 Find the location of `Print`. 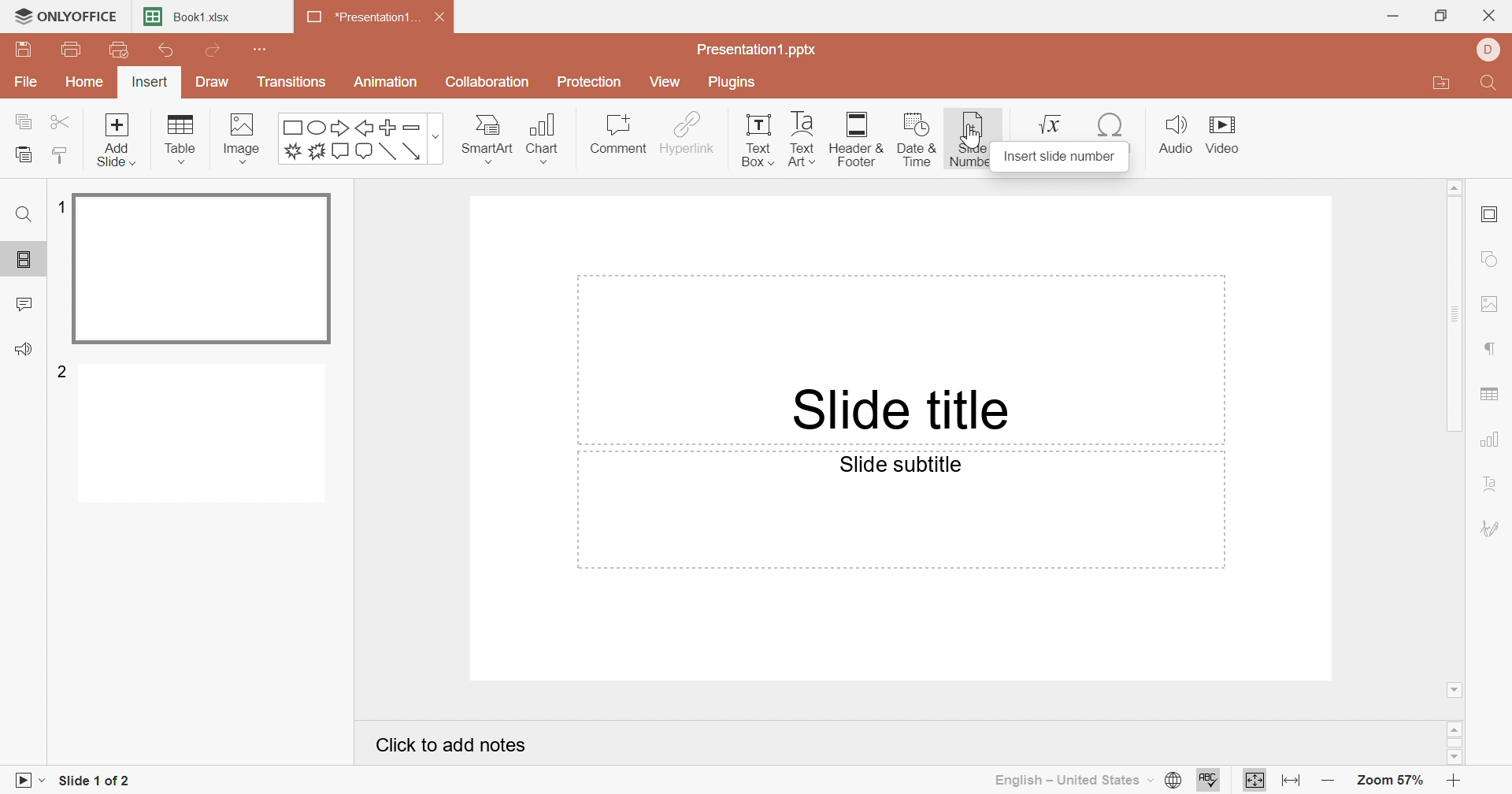

Print is located at coordinates (72, 51).